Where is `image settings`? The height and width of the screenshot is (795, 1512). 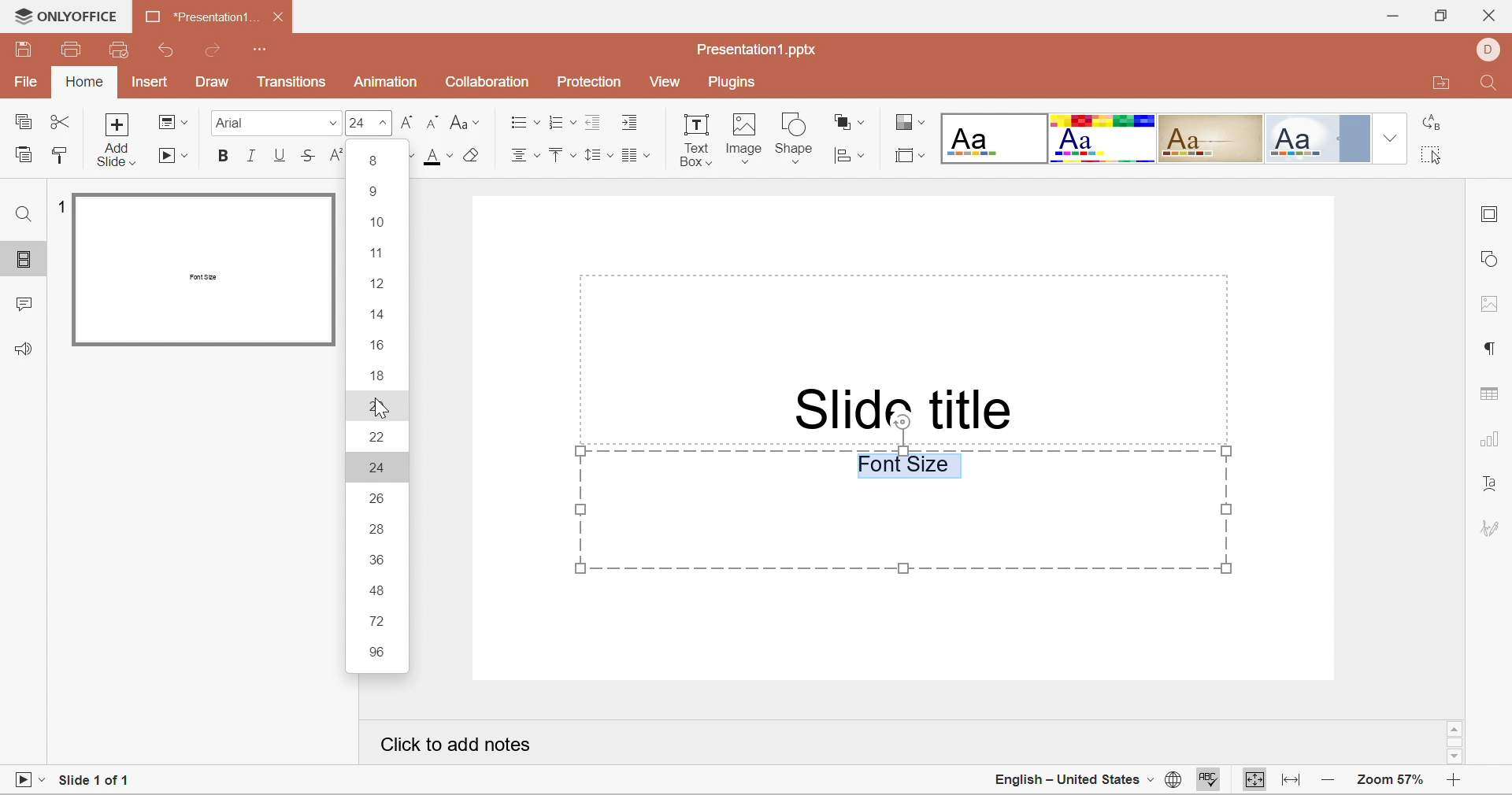 image settings is located at coordinates (1491, 304).